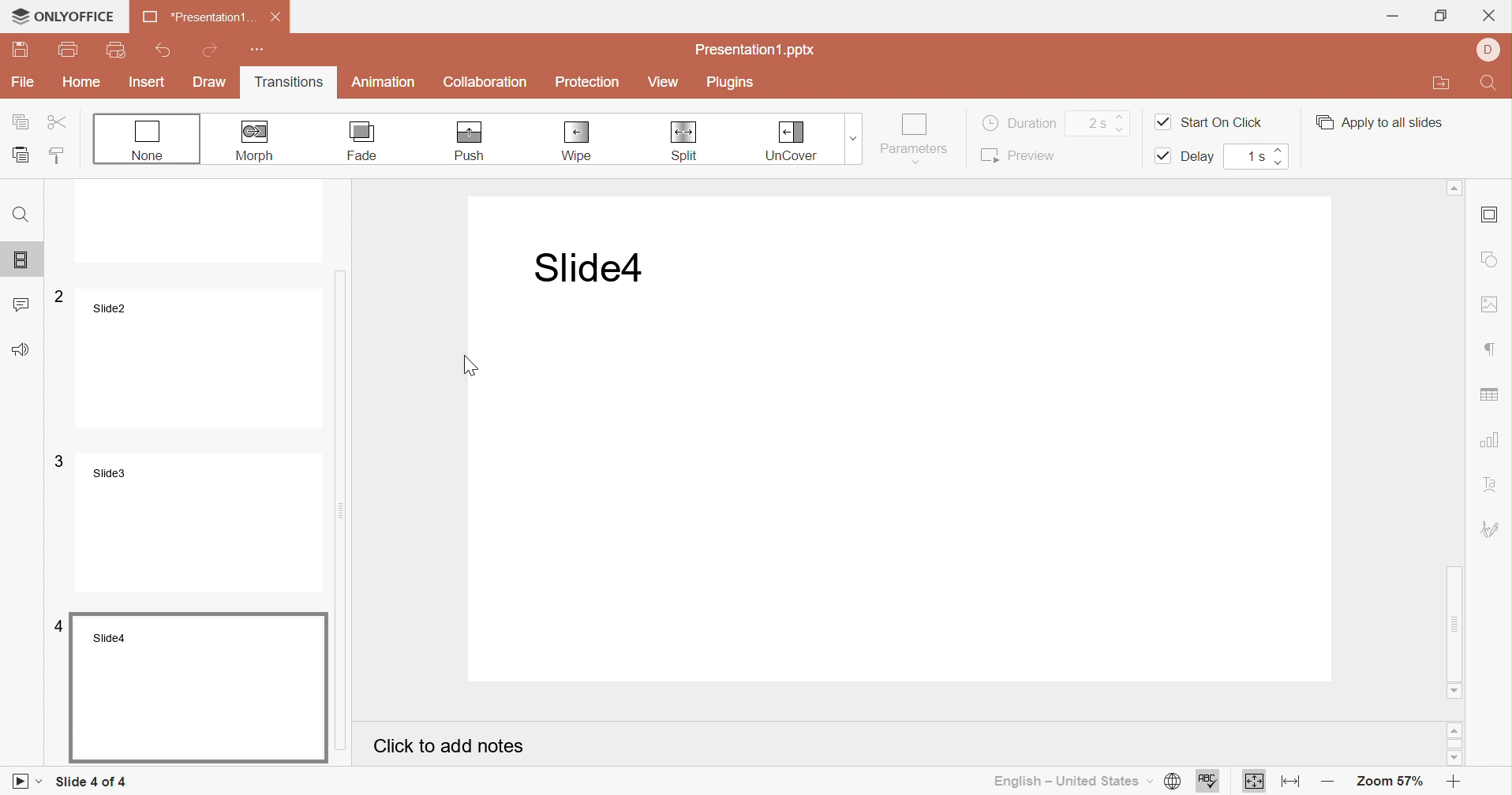 Image resolution: width=1512 pixels, height=795 pixels. I want to click on Slide 1 of 4, so click(91, 782).